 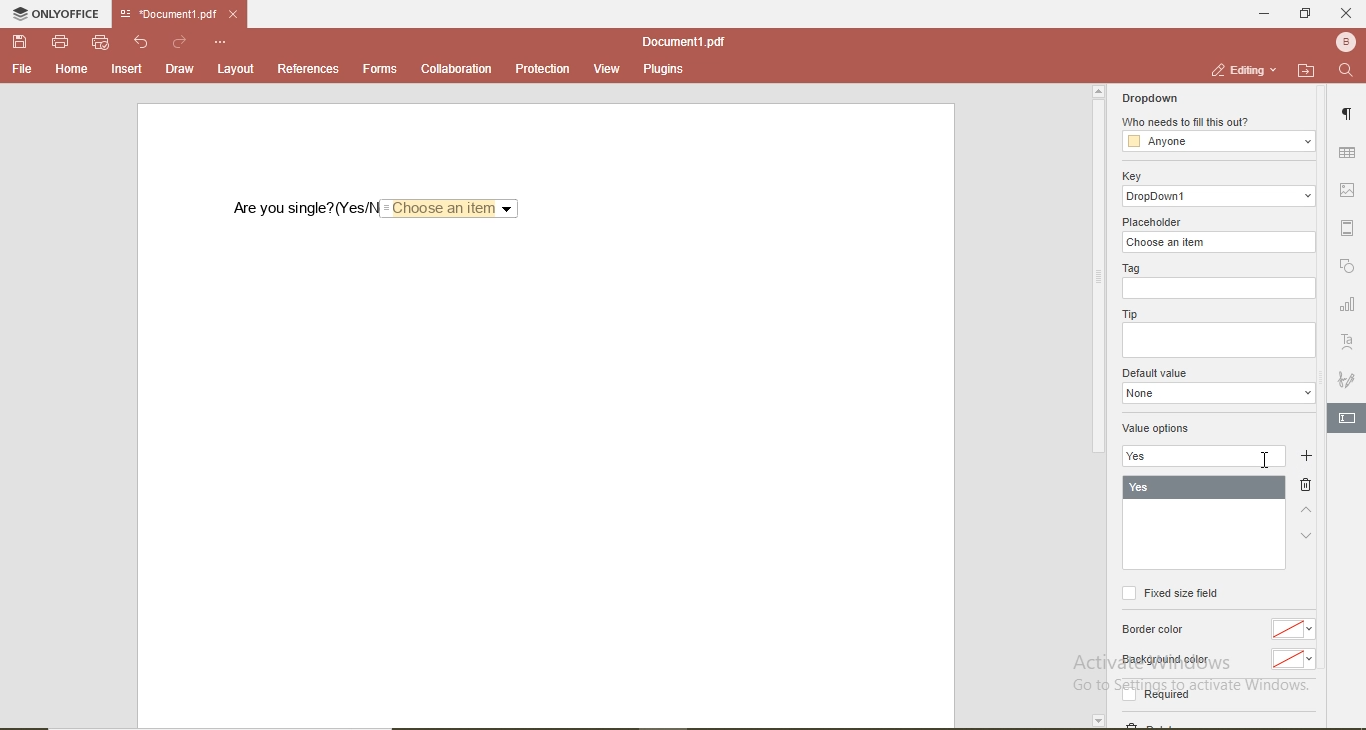 I want to click on yes, so click(x=1203, y=488).